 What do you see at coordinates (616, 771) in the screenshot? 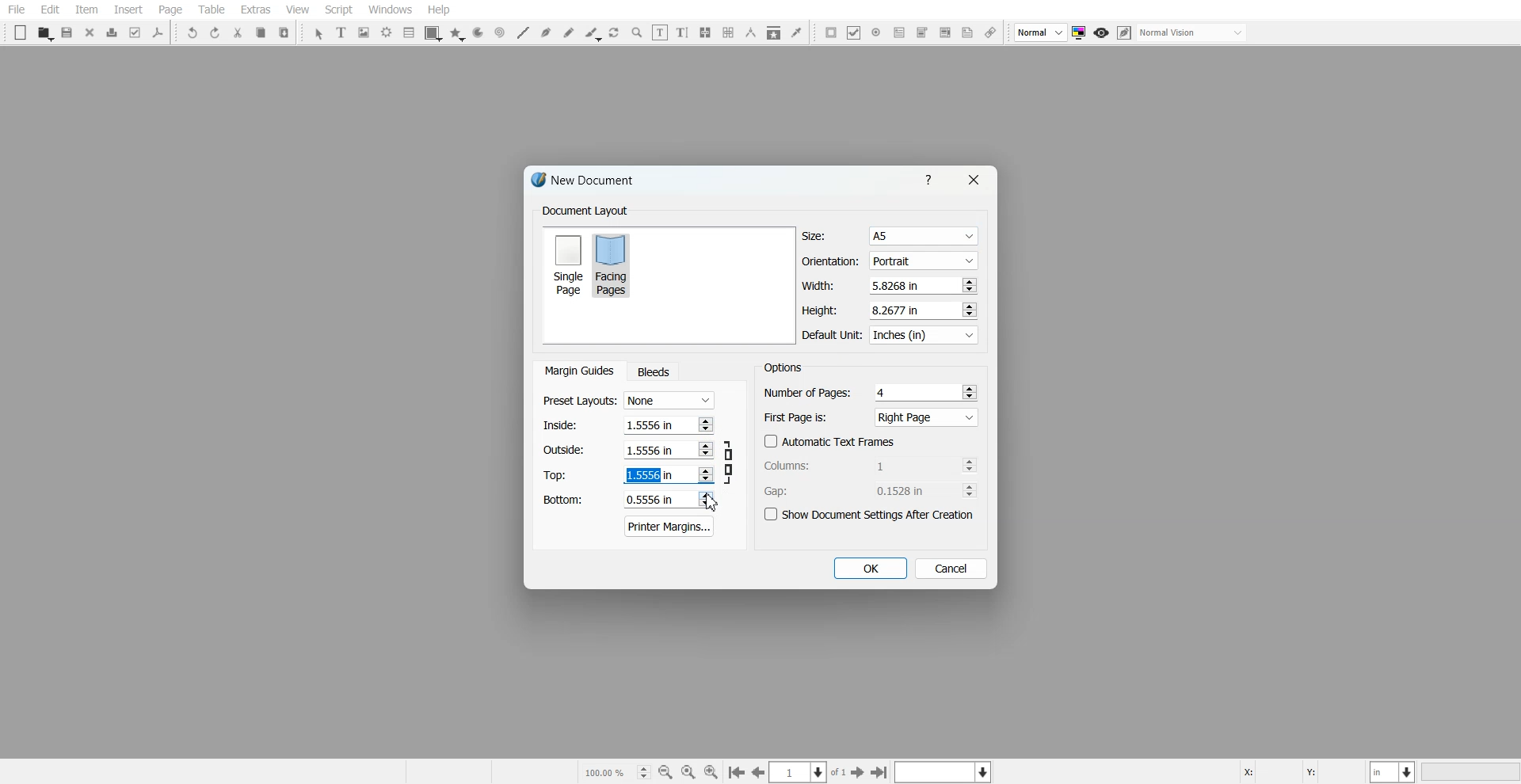
I see `Select current zoom` at bounding box center [616, 771].